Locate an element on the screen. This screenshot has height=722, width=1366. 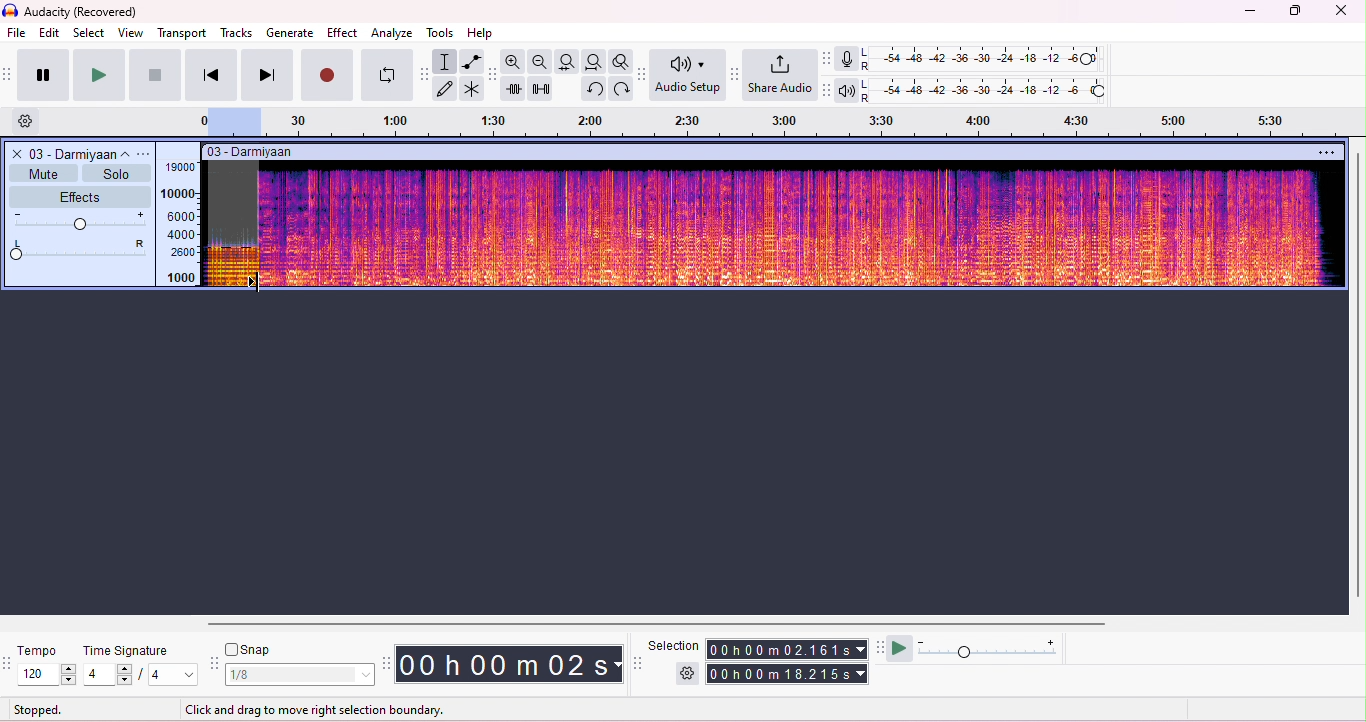
select time signature is located at coordinates (139, 675).